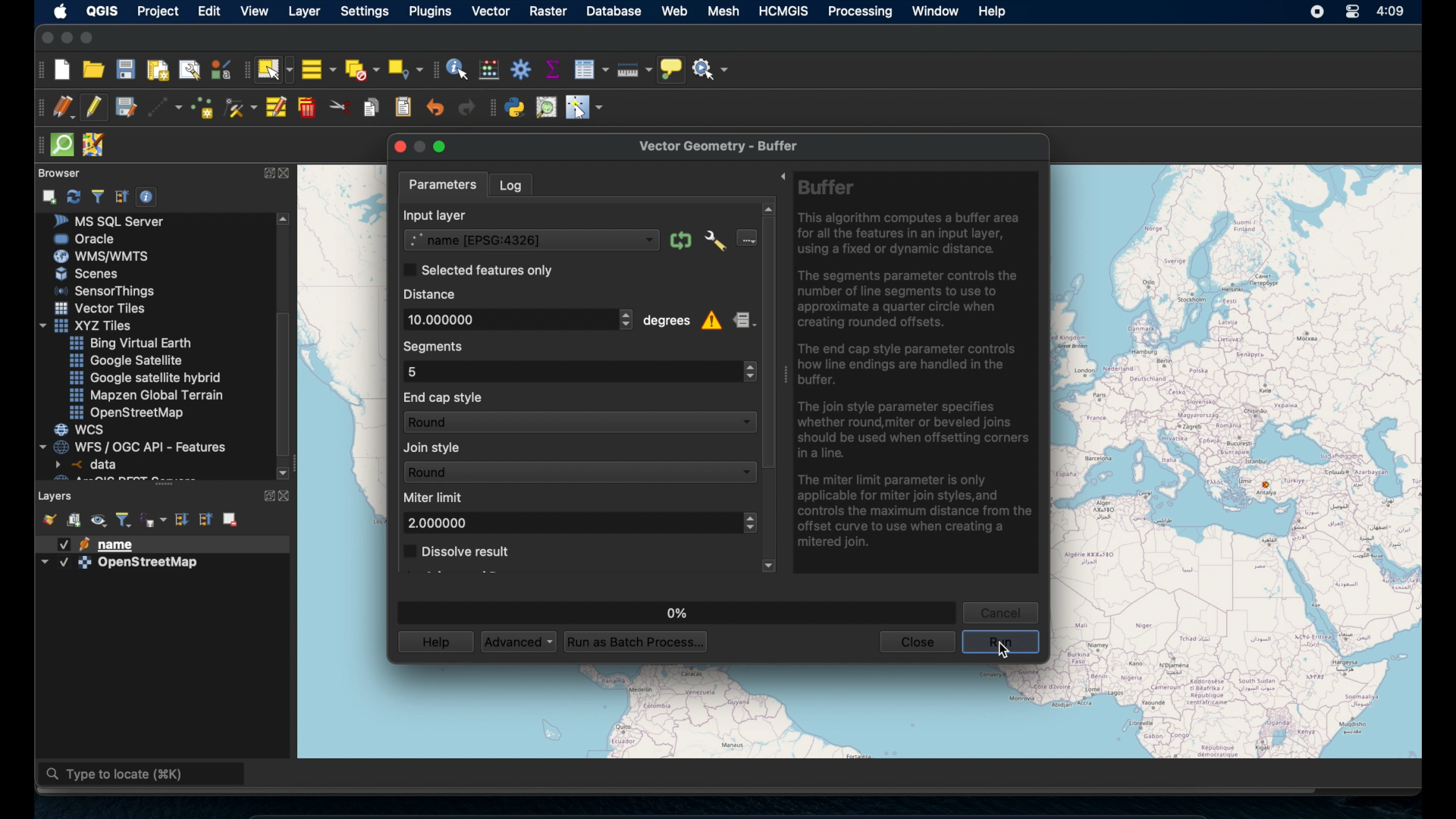 The width and height of the screenshot is (1456, 819). What do you see at coordinates (440, 215) in the screenshot?
I see `input layer` at bounding box center [440, 215].